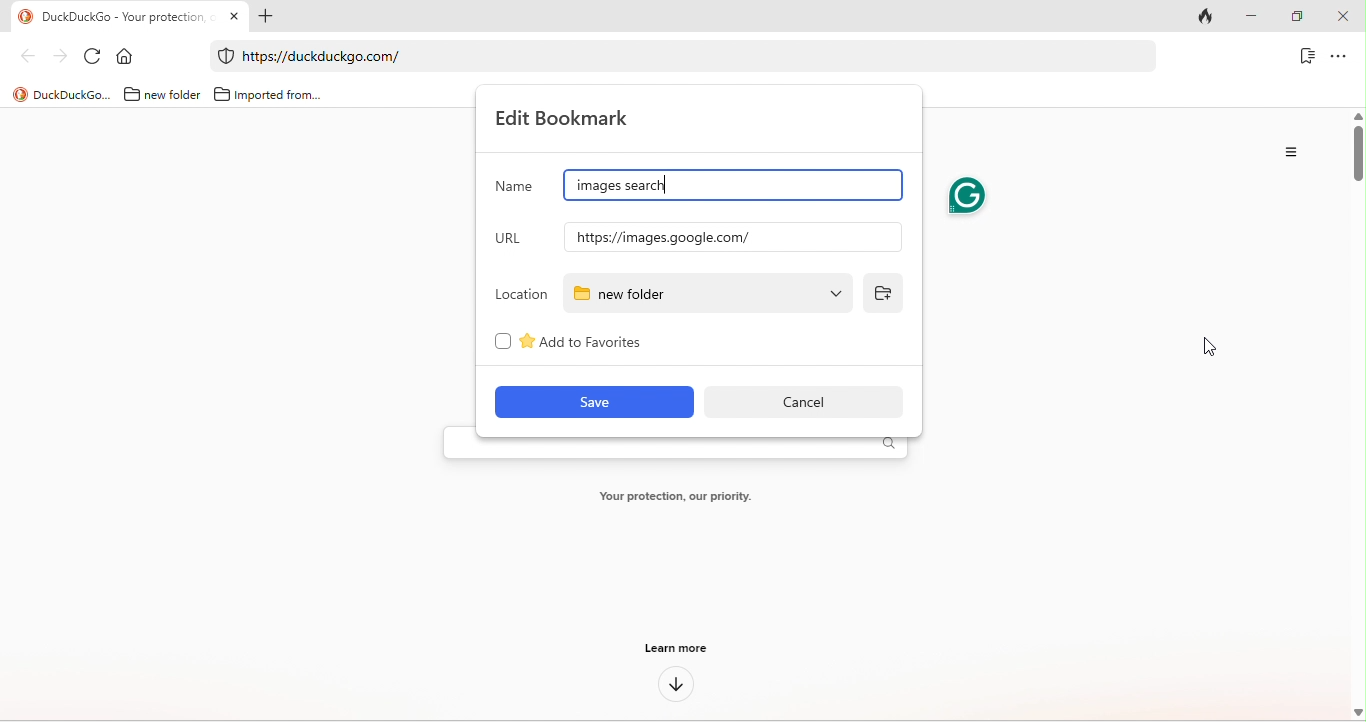 The width and height of the screenshot is (1366, 722). Describe the element at coordinates (1288, 155) in the screenshot. I see `option` at that location.